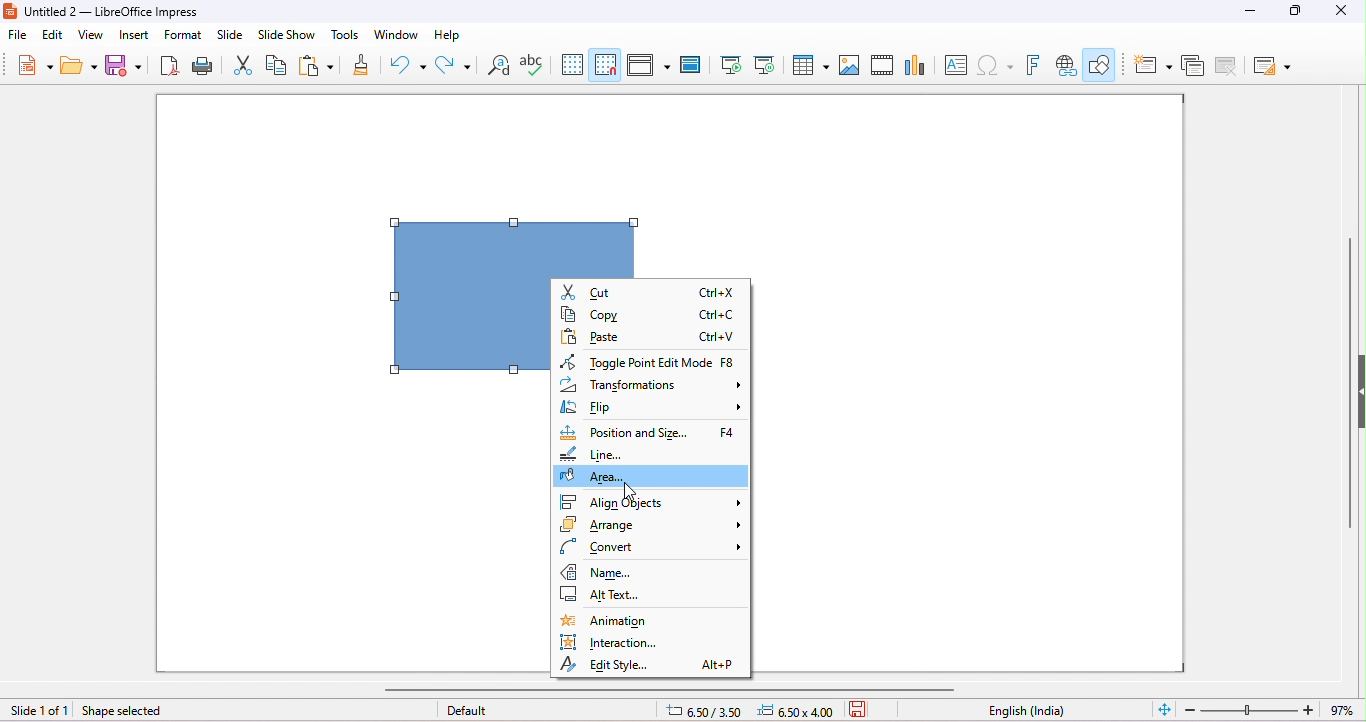 This screenshot has height=722, width=1366. Describe the element at coordinates (35, 64) in the screenshot. I see `new` at that location.